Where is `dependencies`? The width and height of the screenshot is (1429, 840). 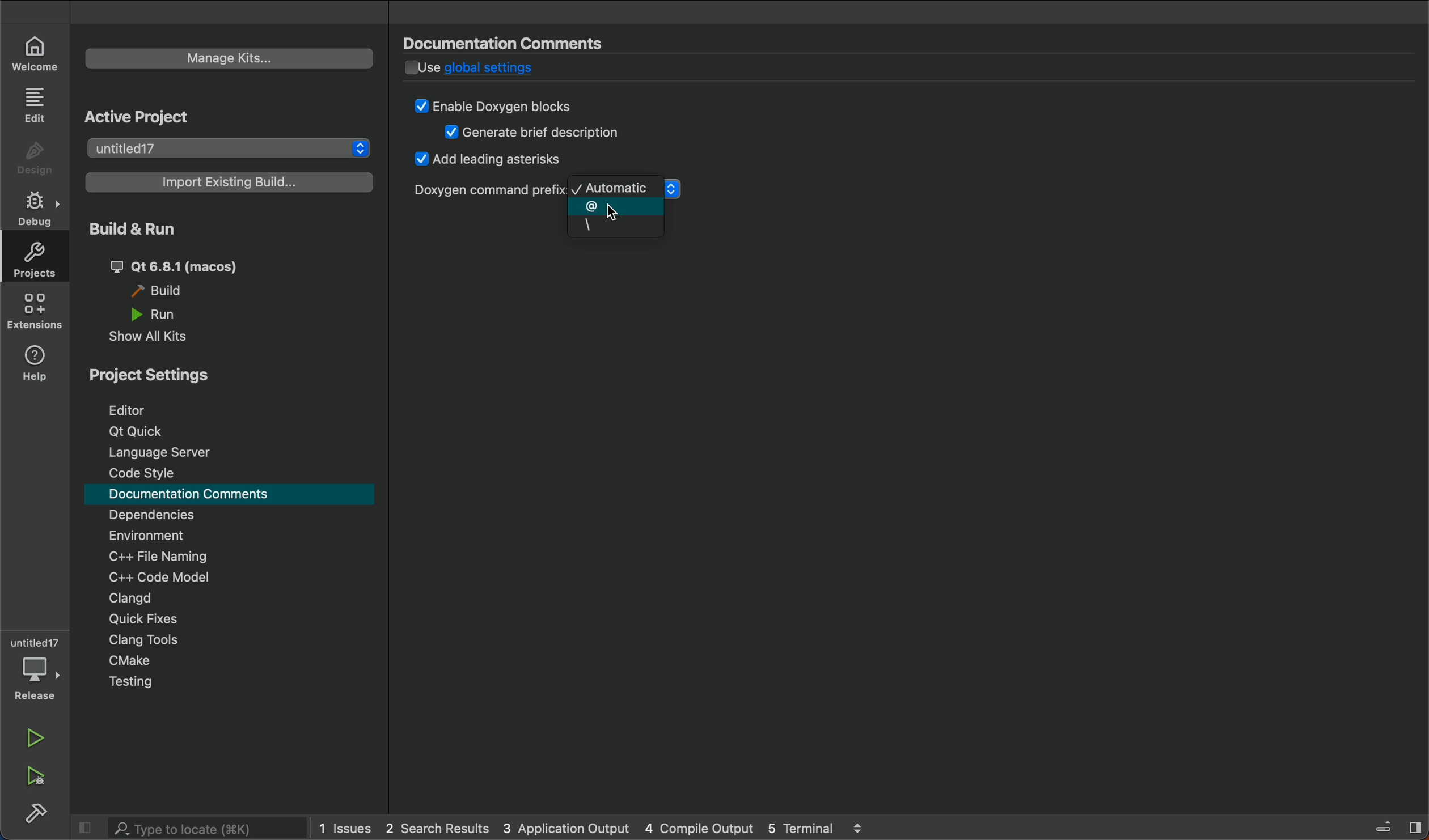 dependencies is located at coordinates (160, 515).